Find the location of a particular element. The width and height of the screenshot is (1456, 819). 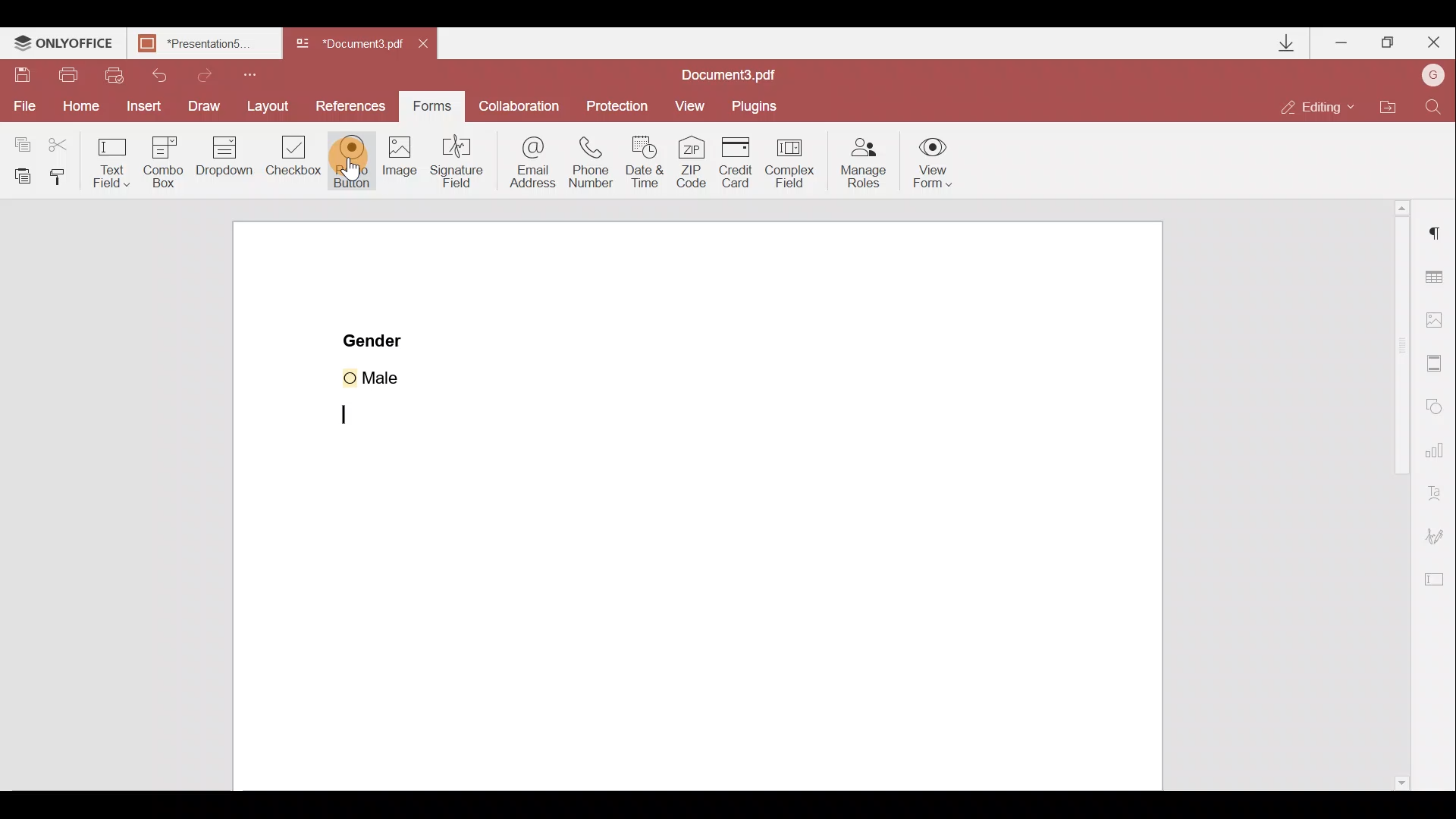

Text field is located at coordinates (109, 160).